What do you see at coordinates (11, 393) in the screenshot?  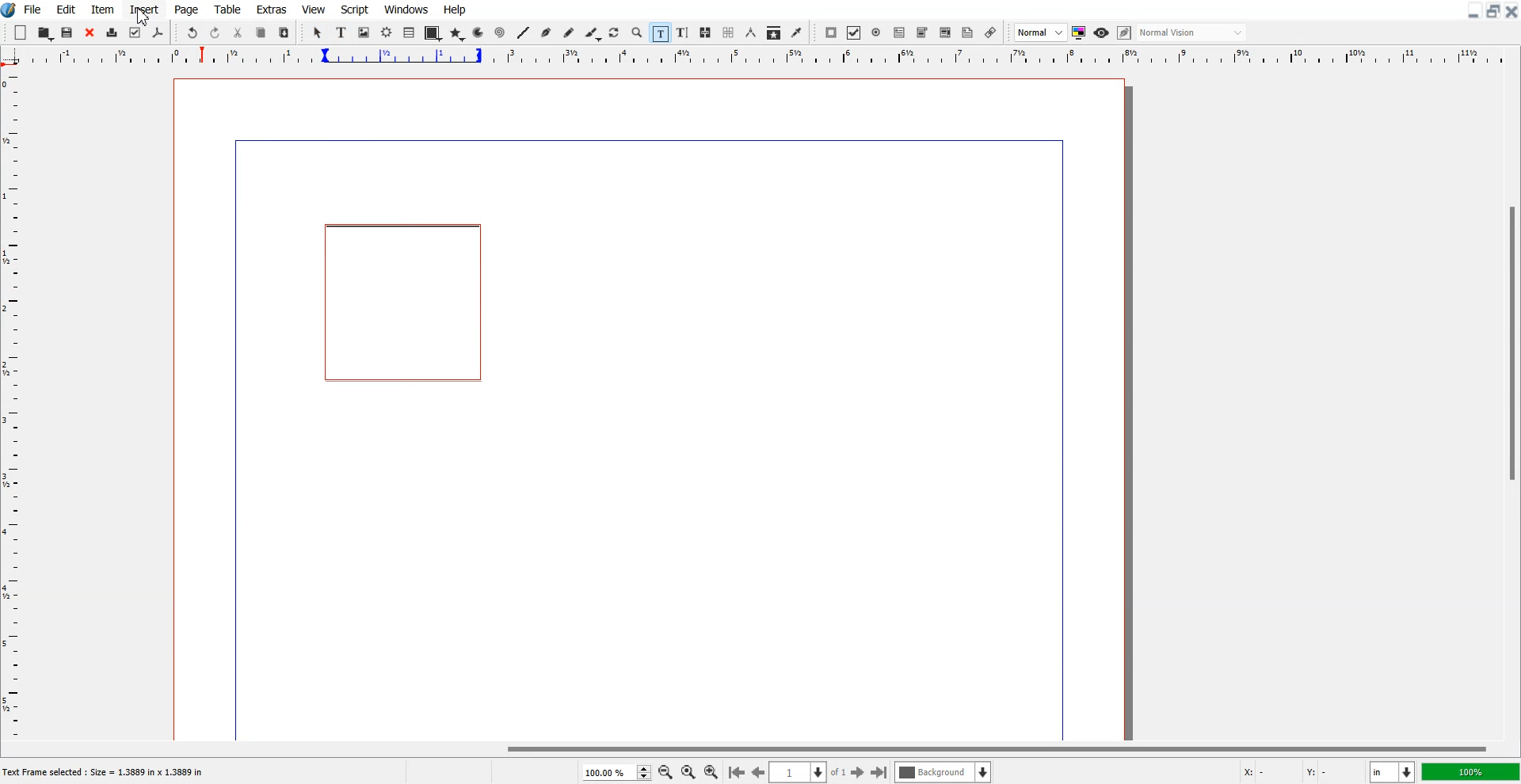 I see `Vertical scale` at bounding box center [11, 393].